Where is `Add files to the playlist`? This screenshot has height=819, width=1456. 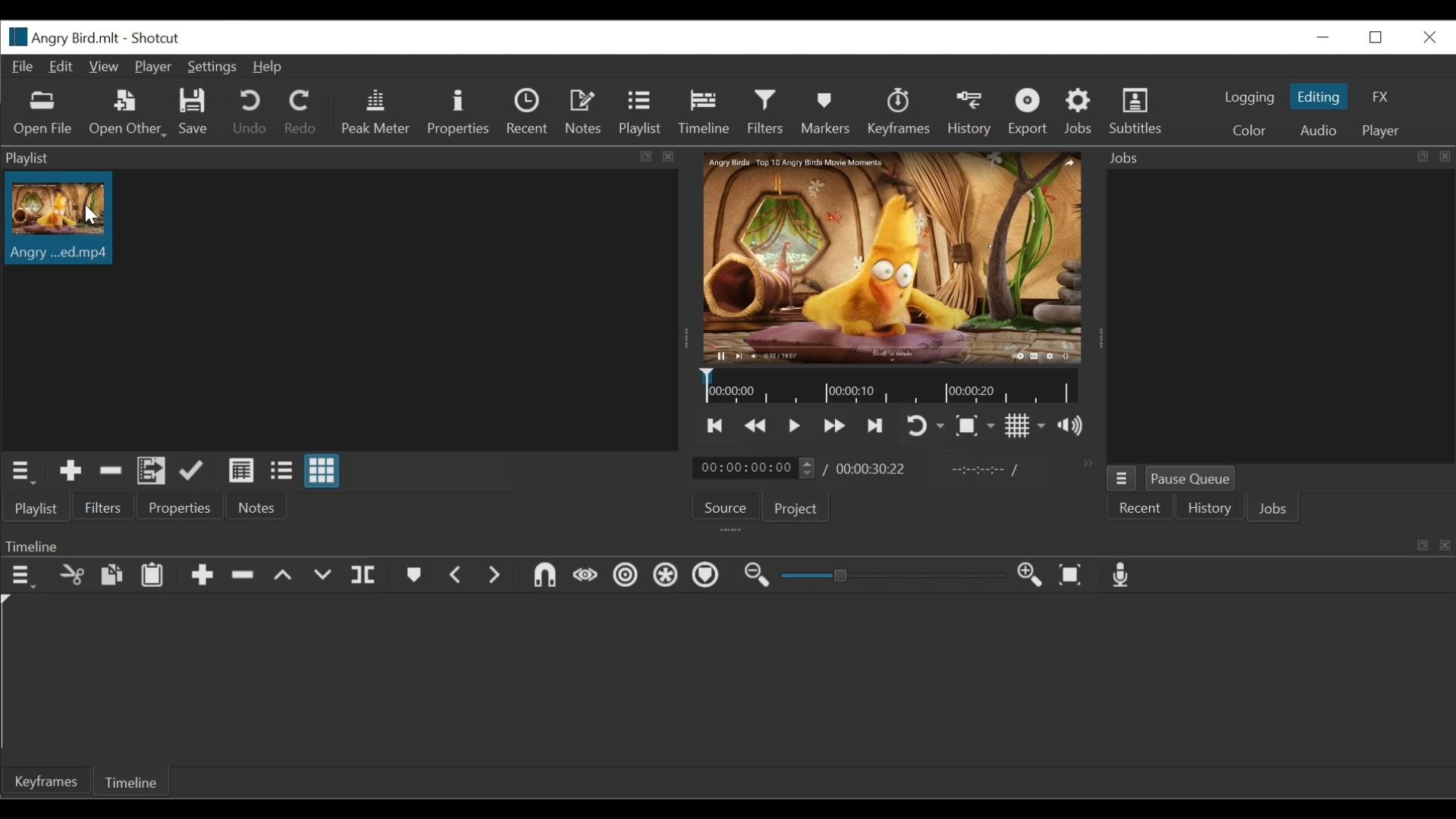
Add files to the playlist is located at coordinates (152, 472).